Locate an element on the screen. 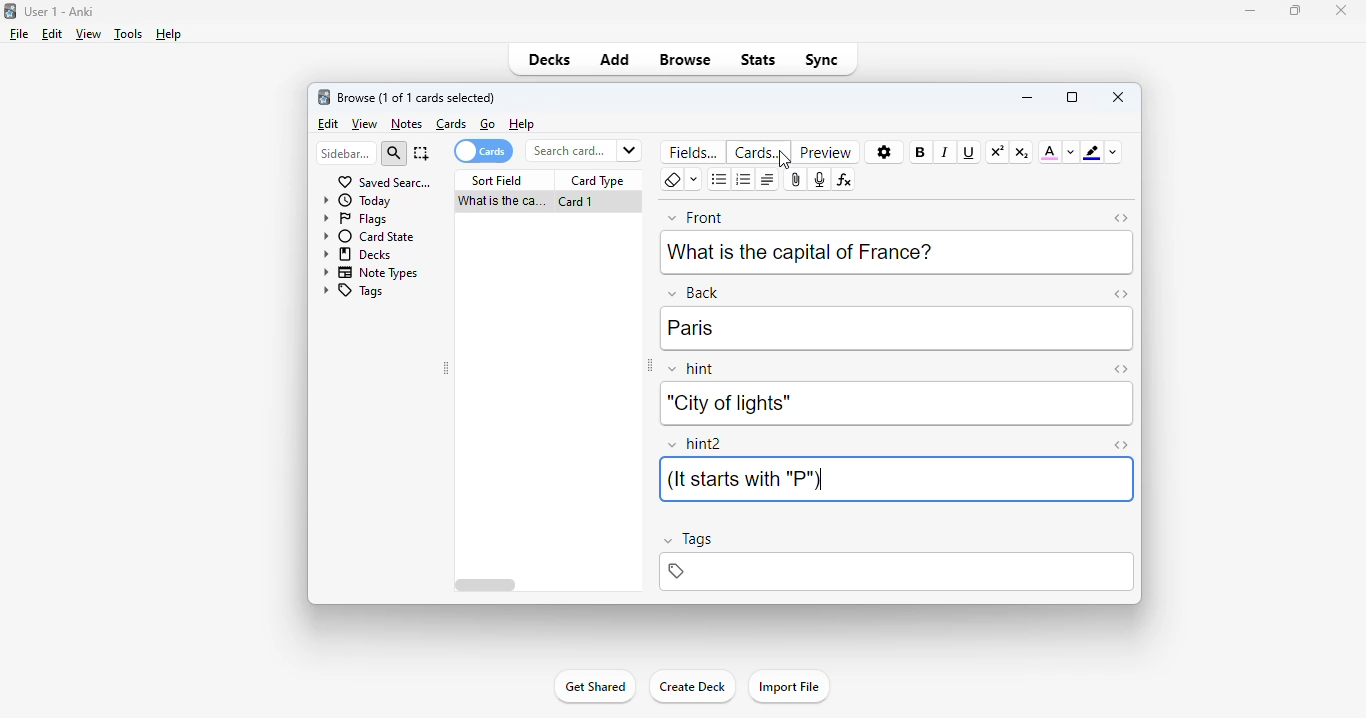  changes saved is located at coordinates (365, 526).